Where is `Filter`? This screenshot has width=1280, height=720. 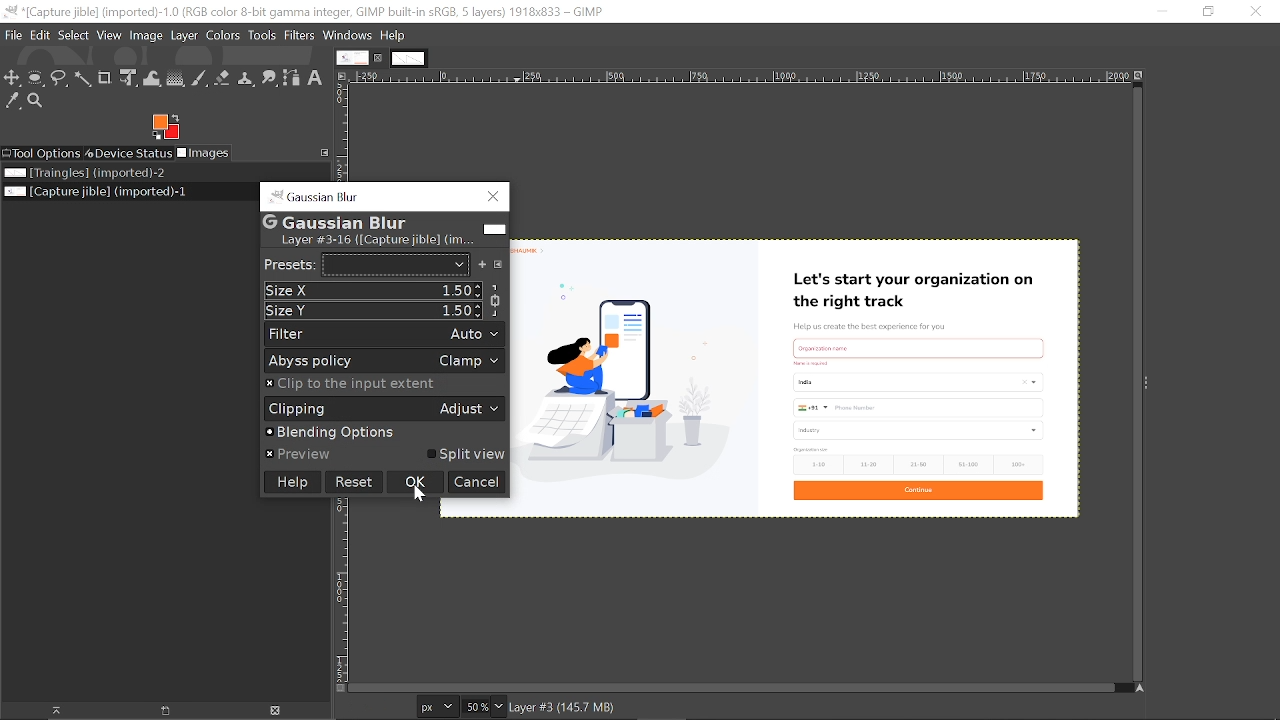
Filter is located at coordinates (385, 334).